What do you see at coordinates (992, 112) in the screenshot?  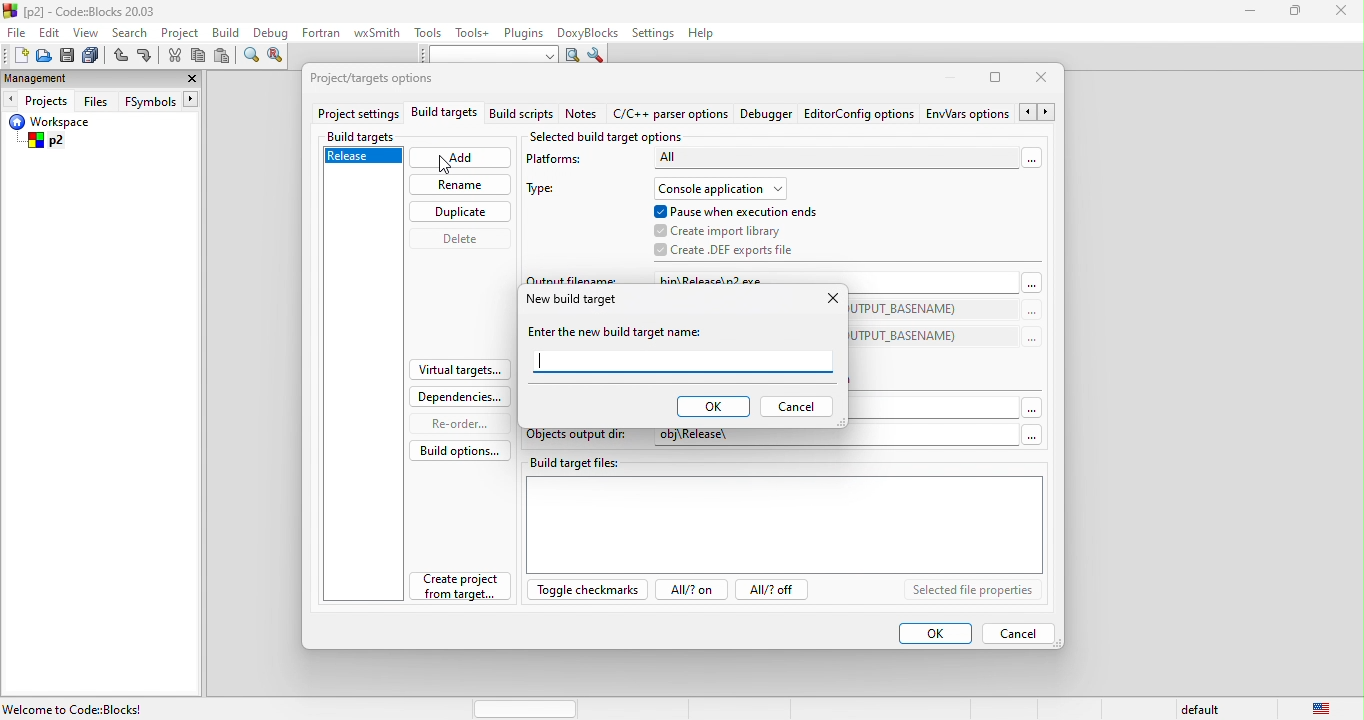 I see `env\vars option` at bounding box center [992, 112].